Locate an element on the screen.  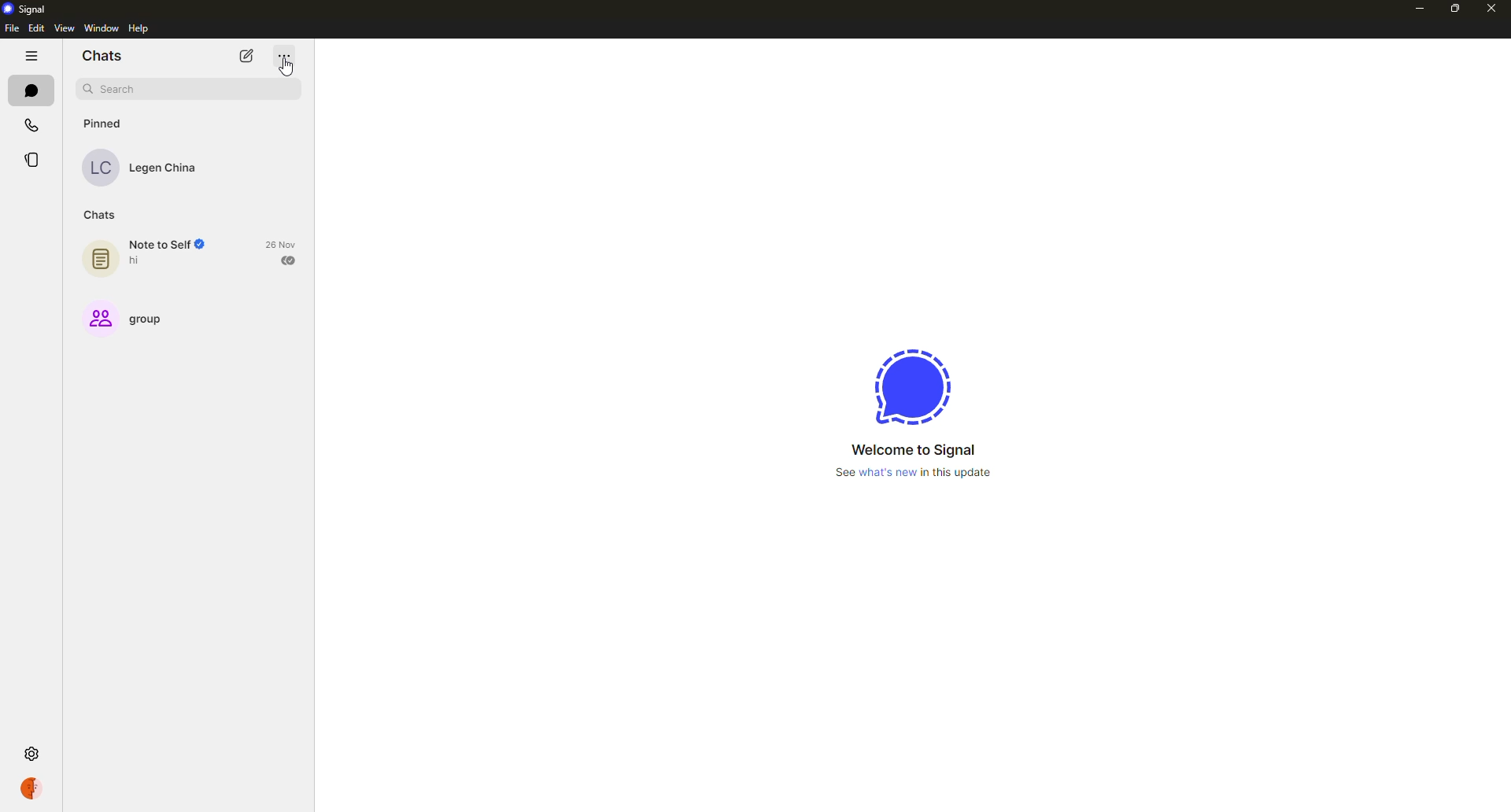
note to self is located at coordinates (156, 253).